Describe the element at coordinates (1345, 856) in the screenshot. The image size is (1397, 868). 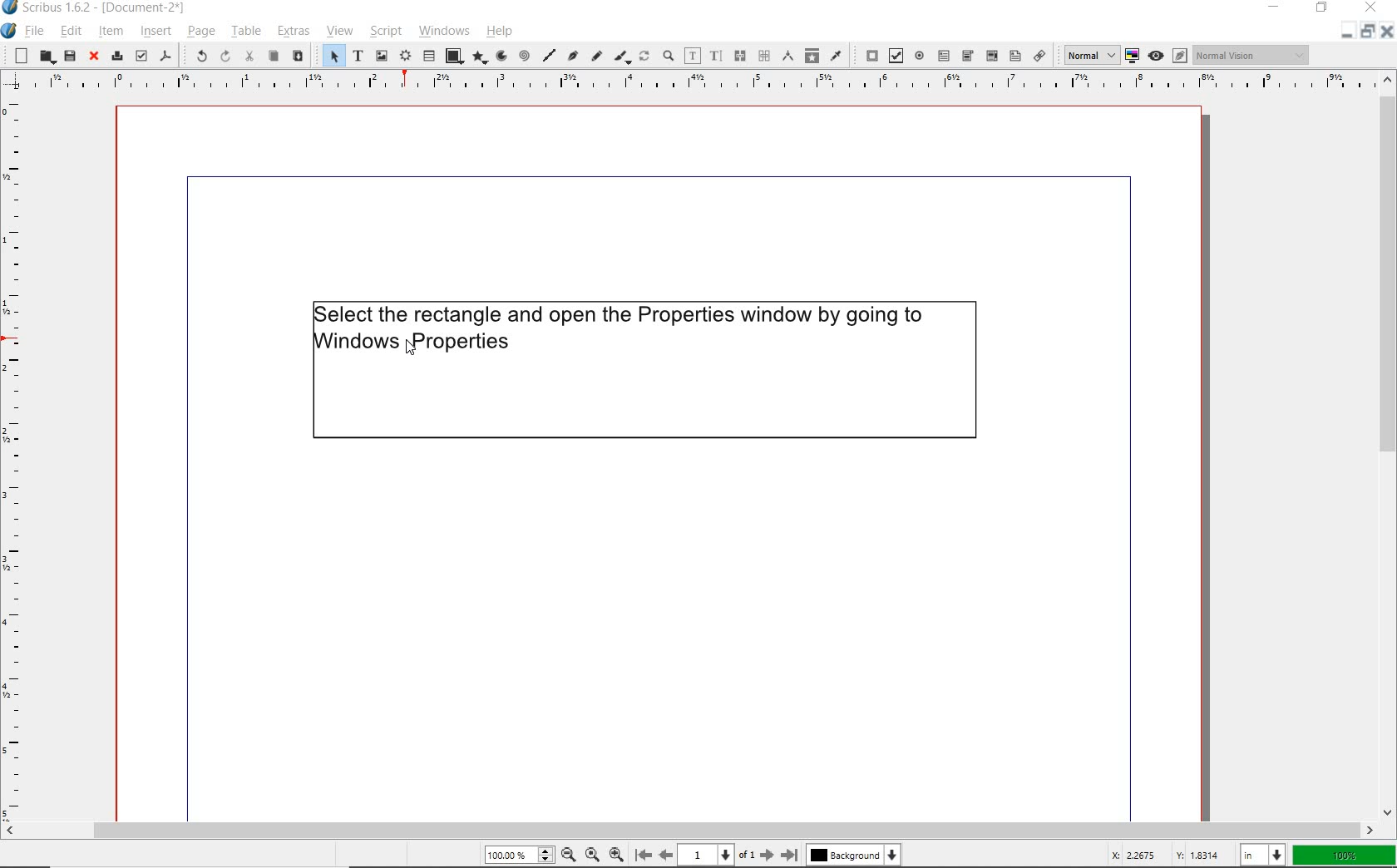
I see `100%` at that location.